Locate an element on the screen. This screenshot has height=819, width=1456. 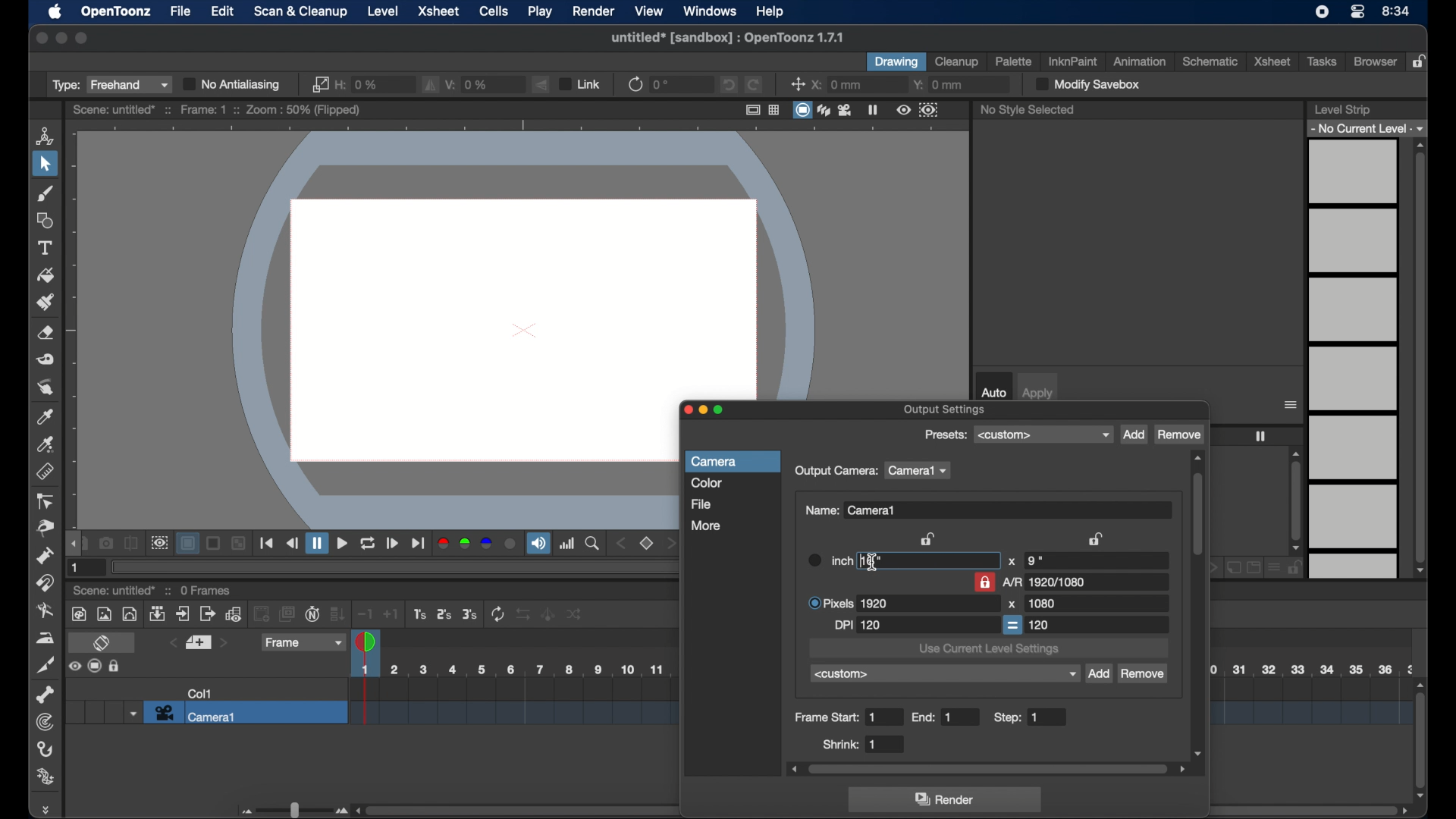
snapshot is located at coordinates (106, 542).